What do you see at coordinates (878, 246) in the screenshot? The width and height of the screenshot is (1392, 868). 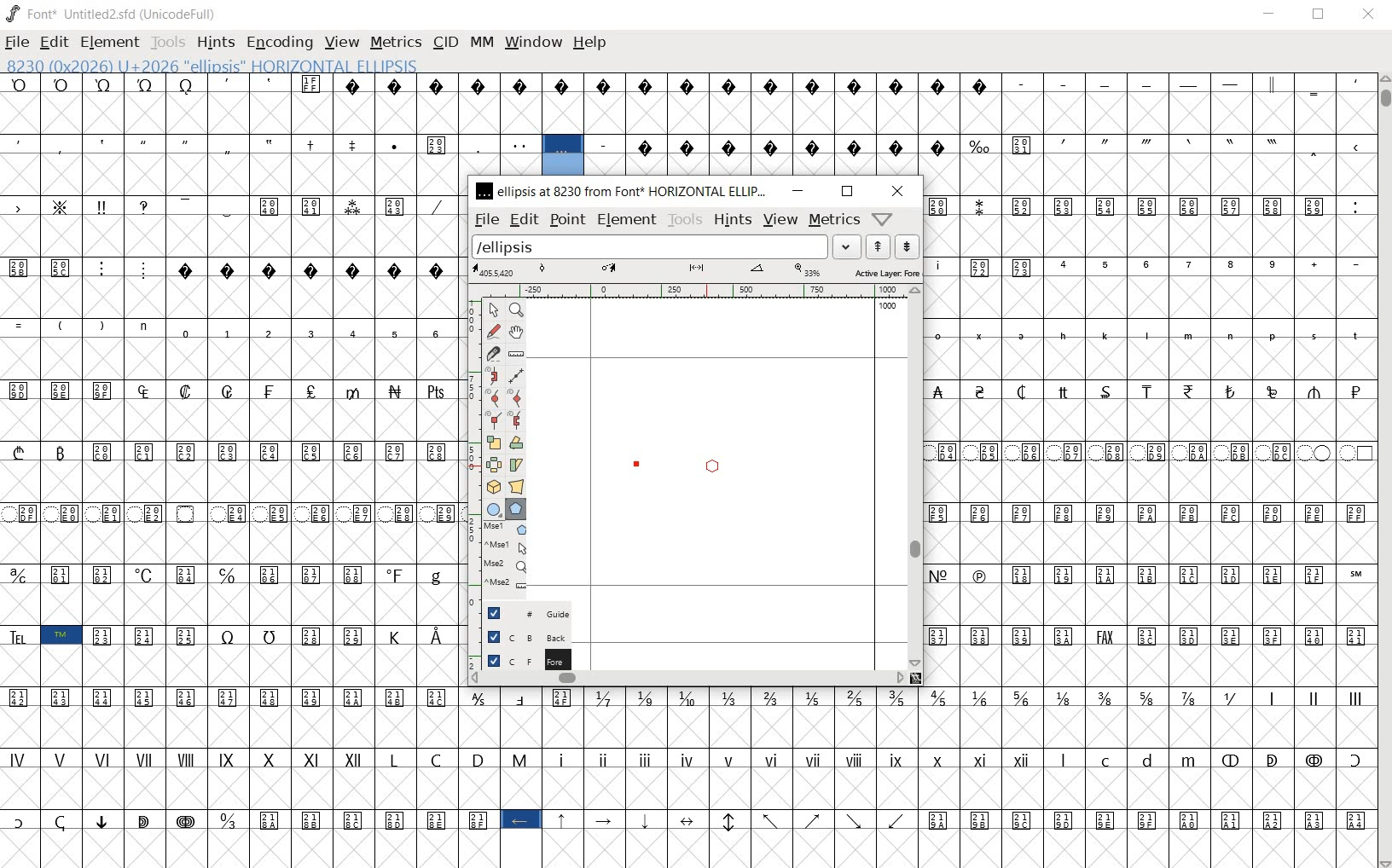 I see `show the next word on the list` at bounding box center [878, 246].